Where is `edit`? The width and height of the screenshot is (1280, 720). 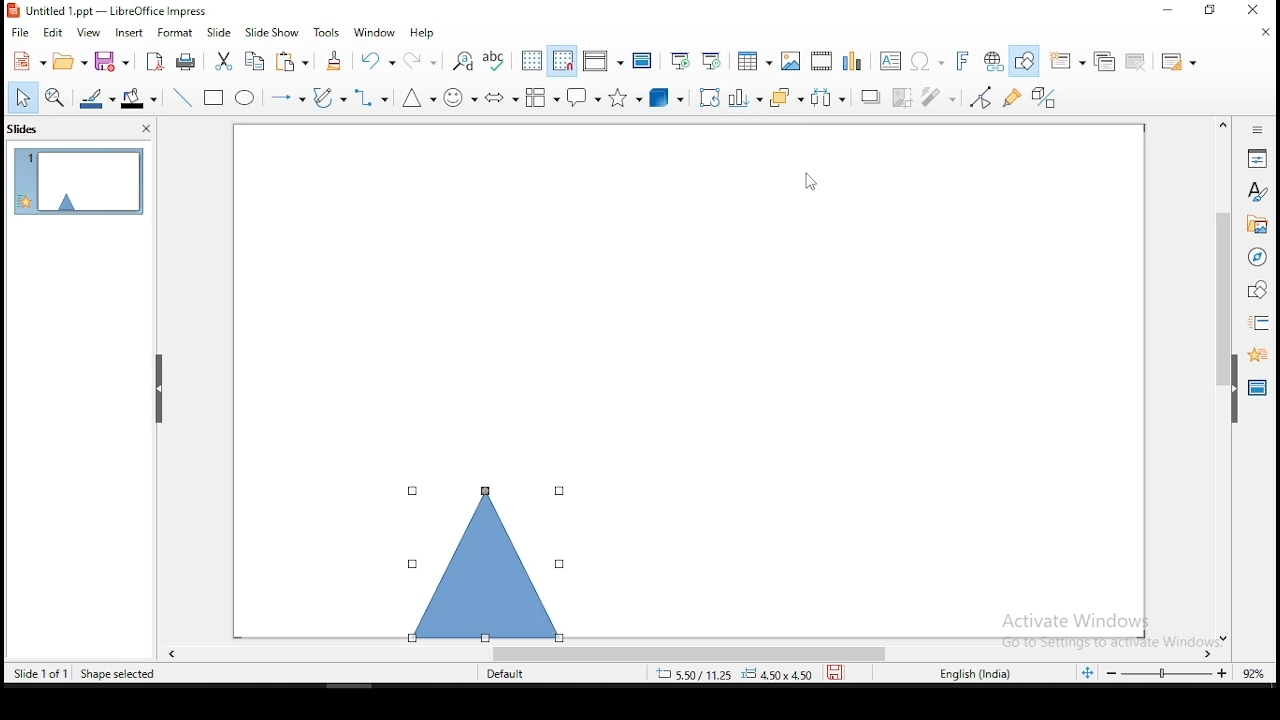
edit is located at coordinates (52, 33).